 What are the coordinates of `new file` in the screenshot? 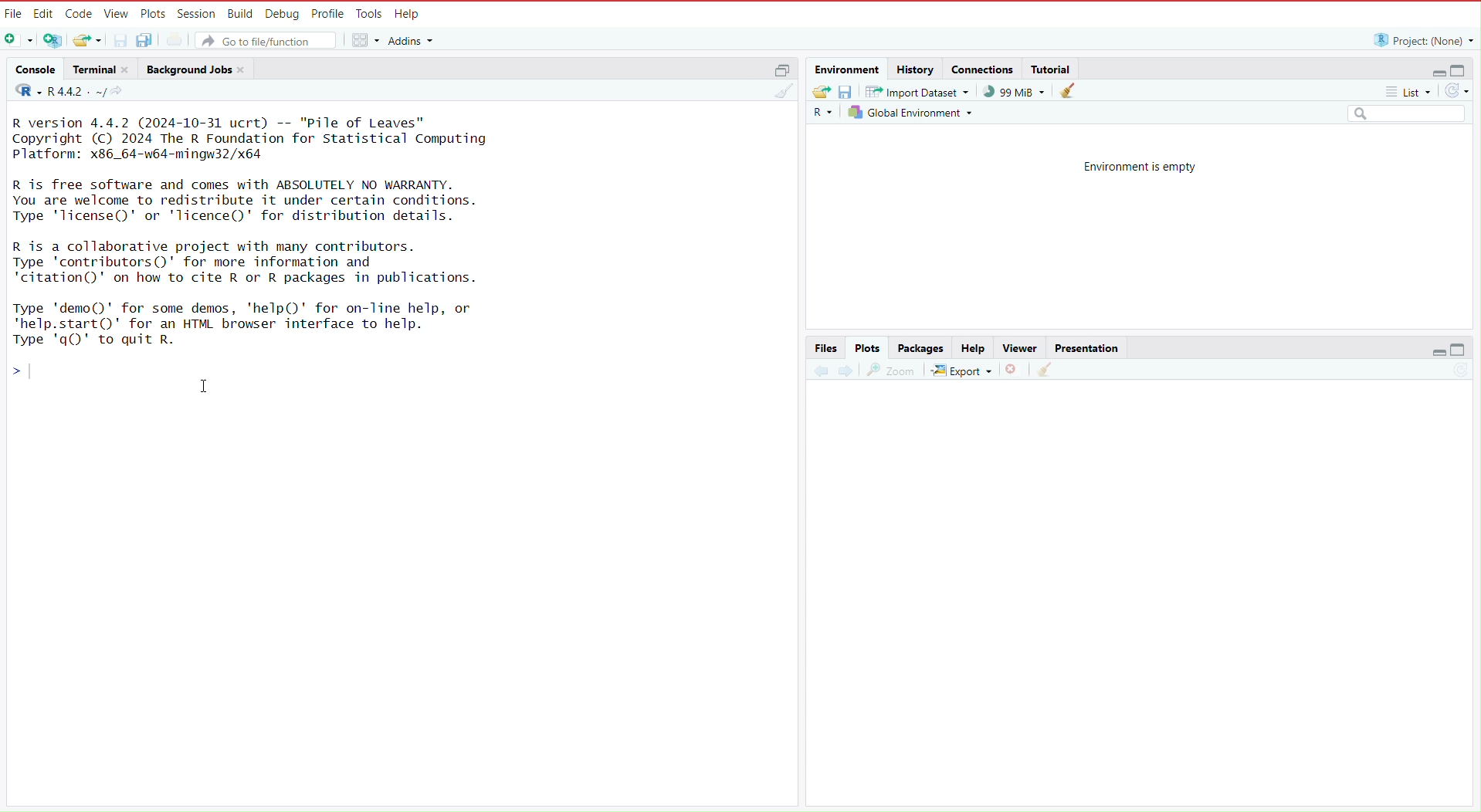 It's located at (18, 39).